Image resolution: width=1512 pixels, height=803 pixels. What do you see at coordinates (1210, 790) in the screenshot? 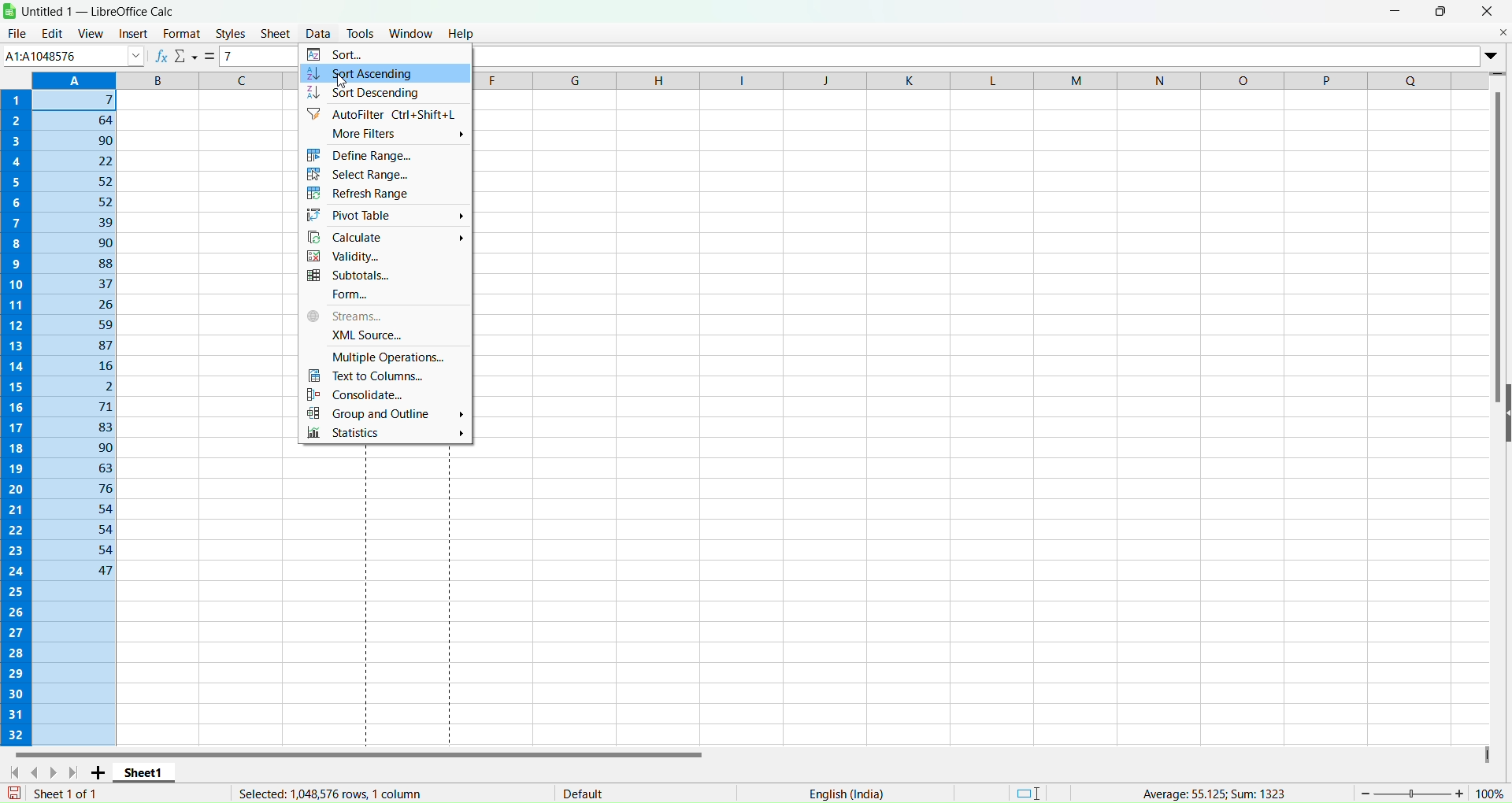
I see `Average and Sum` at bounding box center [1210, 790].